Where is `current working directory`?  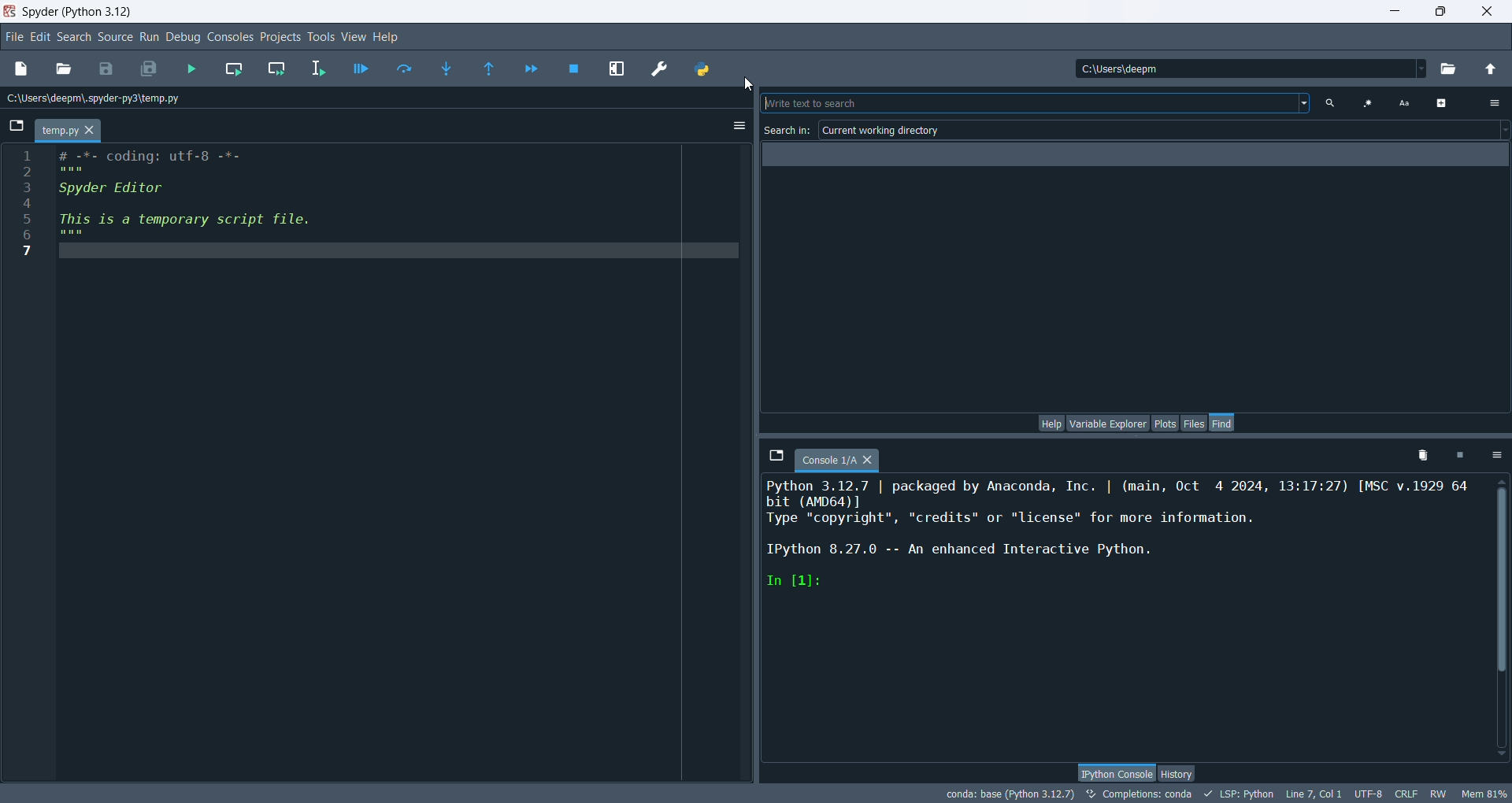
current working directory is located at coordinates (1164, 130).